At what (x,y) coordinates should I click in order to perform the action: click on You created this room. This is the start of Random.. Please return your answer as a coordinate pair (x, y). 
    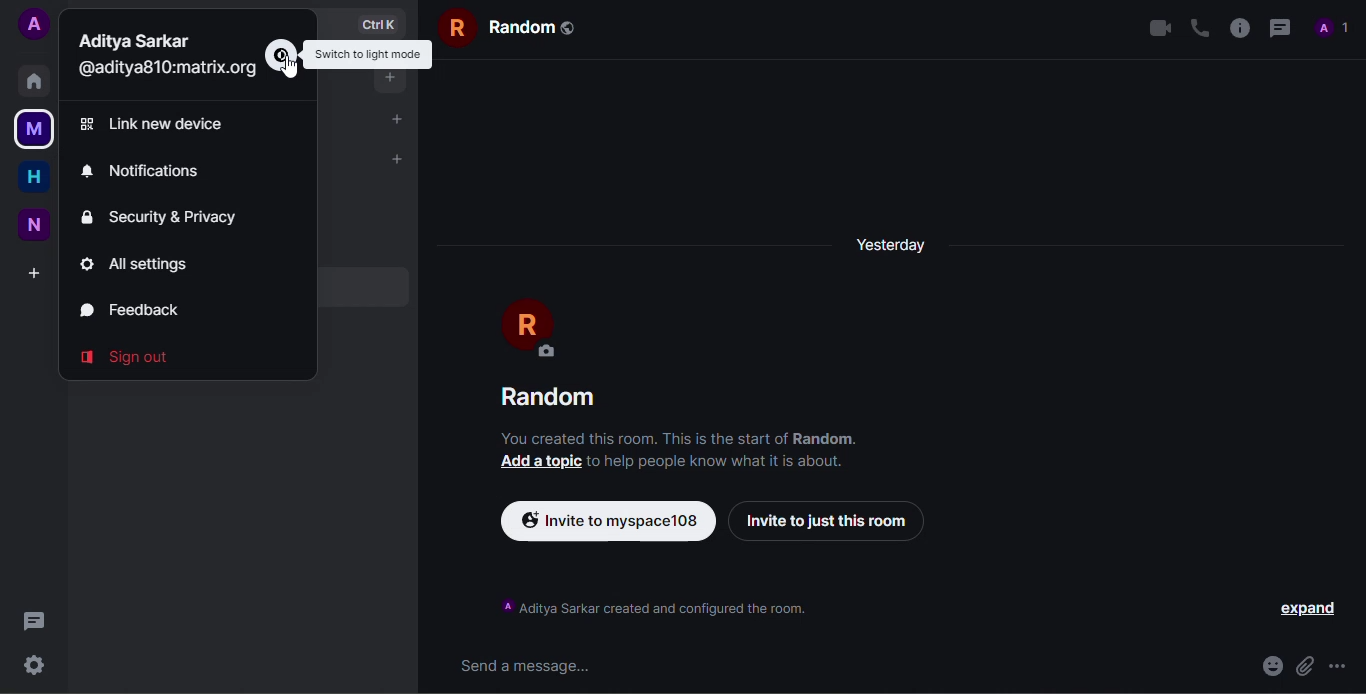
    Looking at the image, I should click on (679, 438).